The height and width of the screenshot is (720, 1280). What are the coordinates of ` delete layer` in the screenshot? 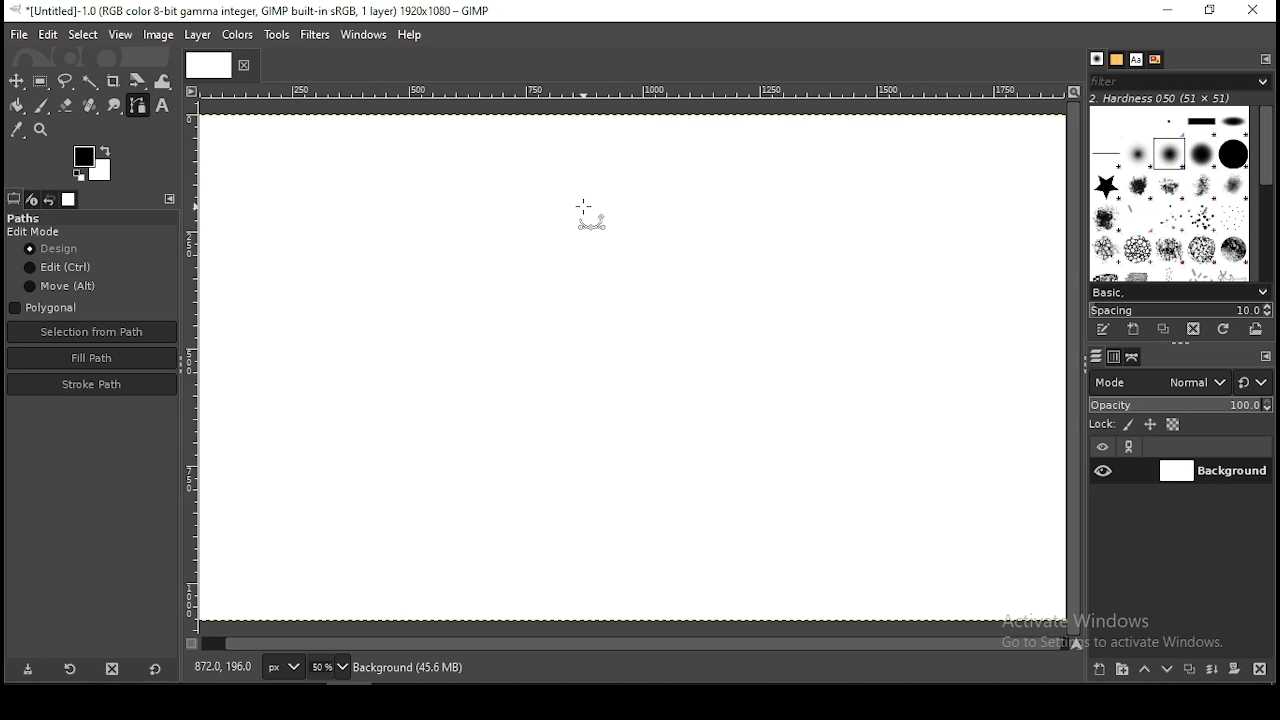 It's located at (1259, 670).